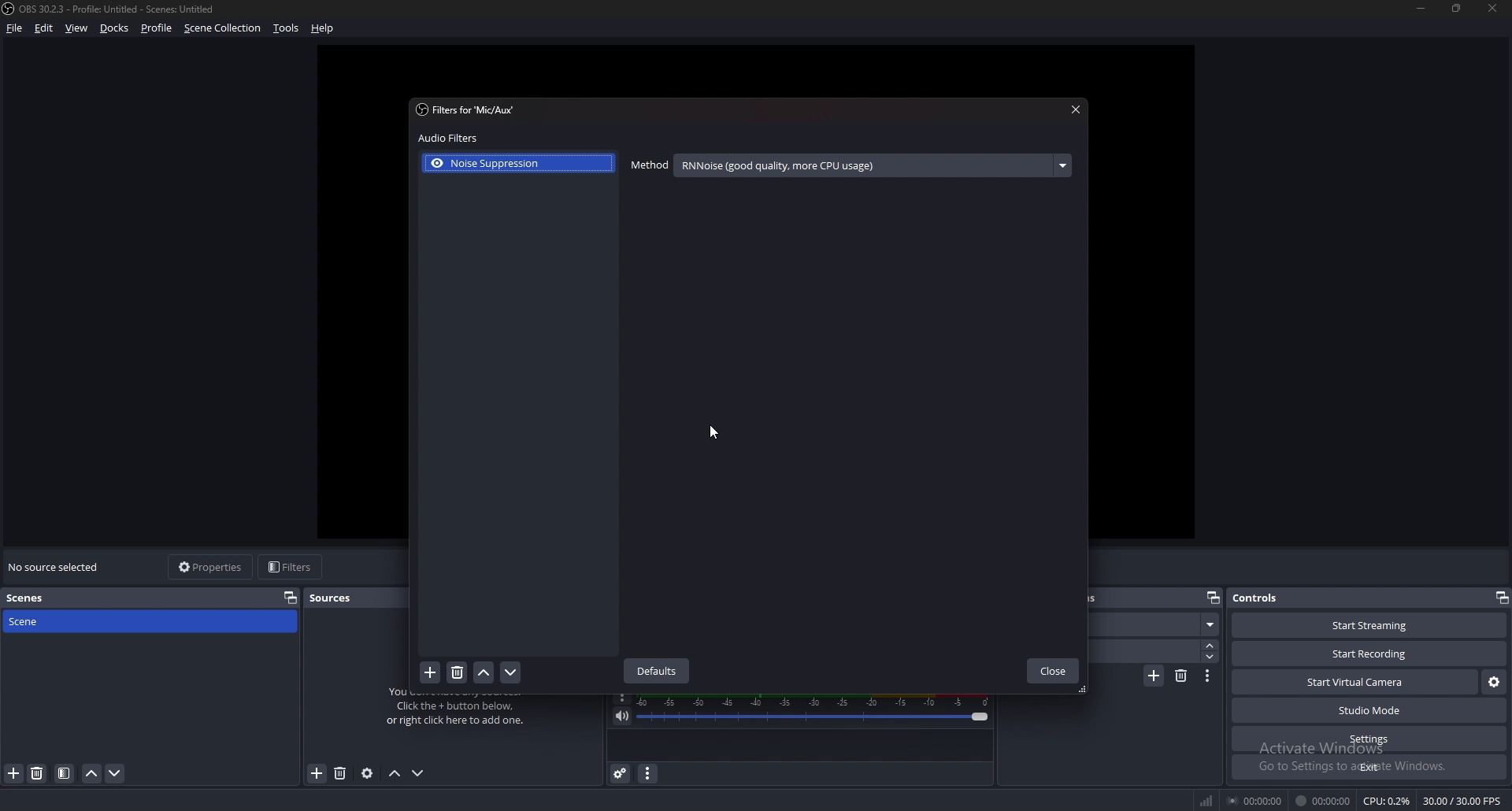  Describe the element at coordinates (1358, 682) in the screenshot. I see `start virtual camera` at that location.